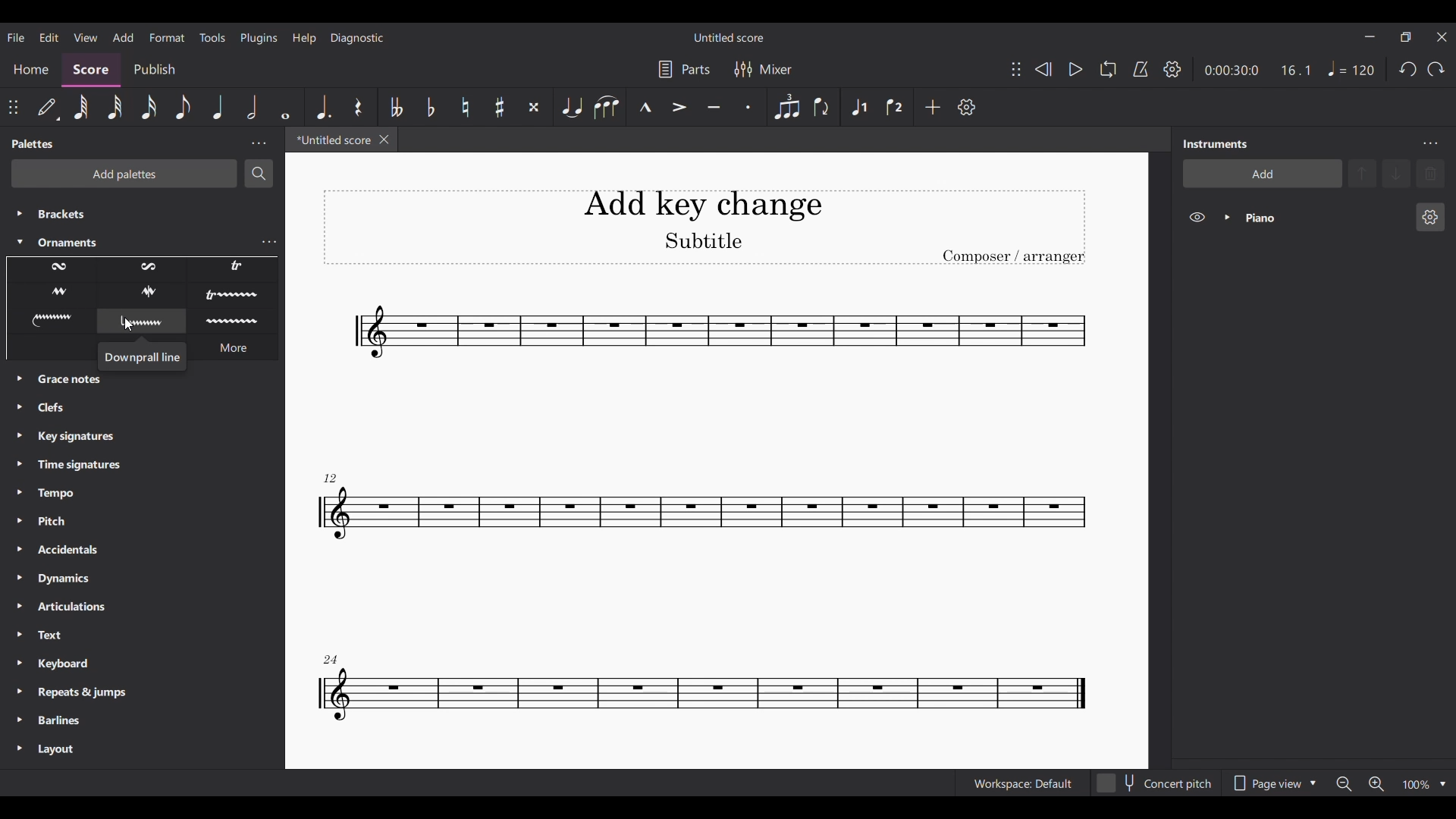 The width and height of the screenshot is (1456, 819). Describe the element at coordinates (47, 107) in the screenshot. I see `default` at that location.